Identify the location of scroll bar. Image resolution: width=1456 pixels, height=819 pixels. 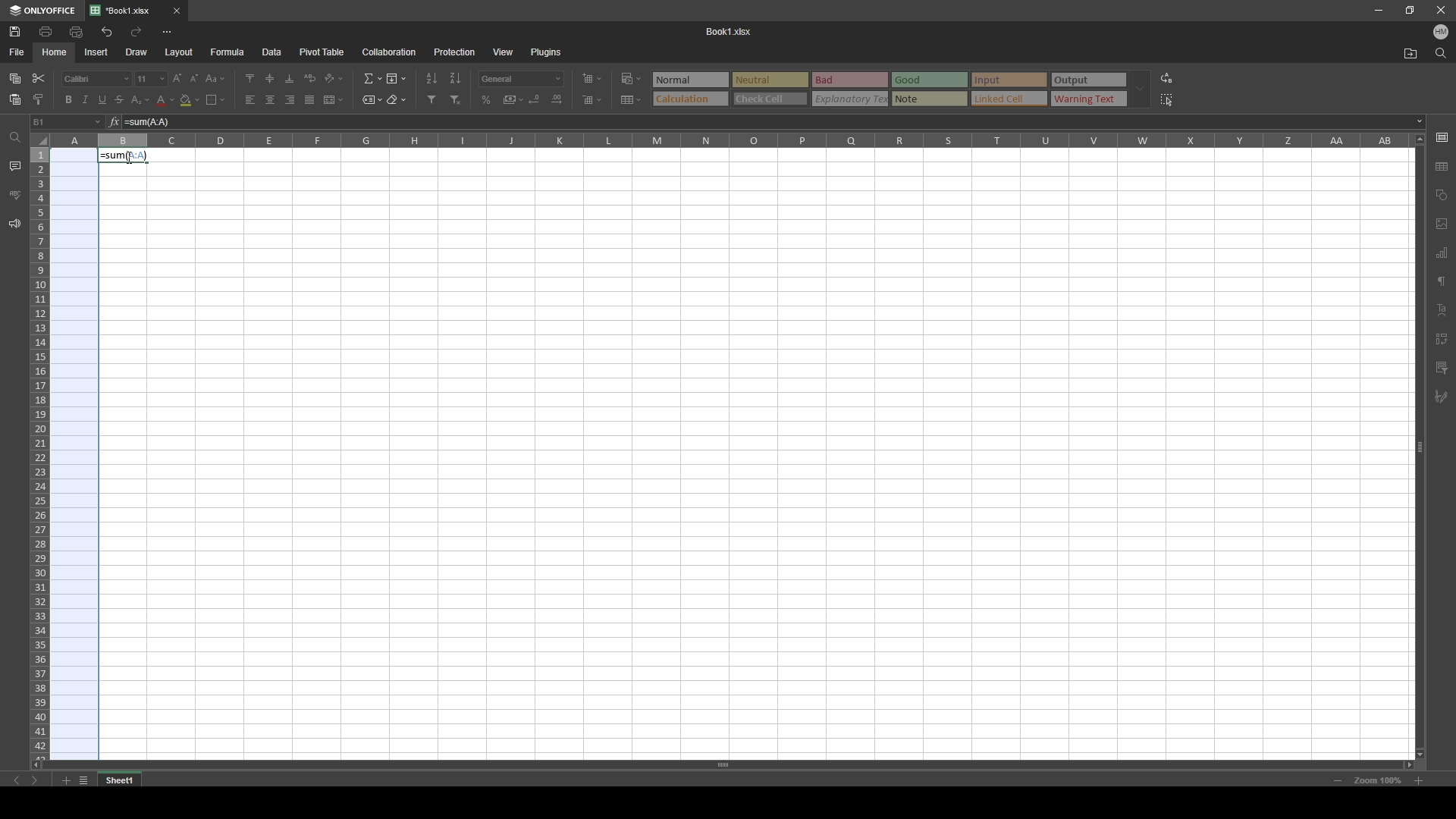
(729, 765).